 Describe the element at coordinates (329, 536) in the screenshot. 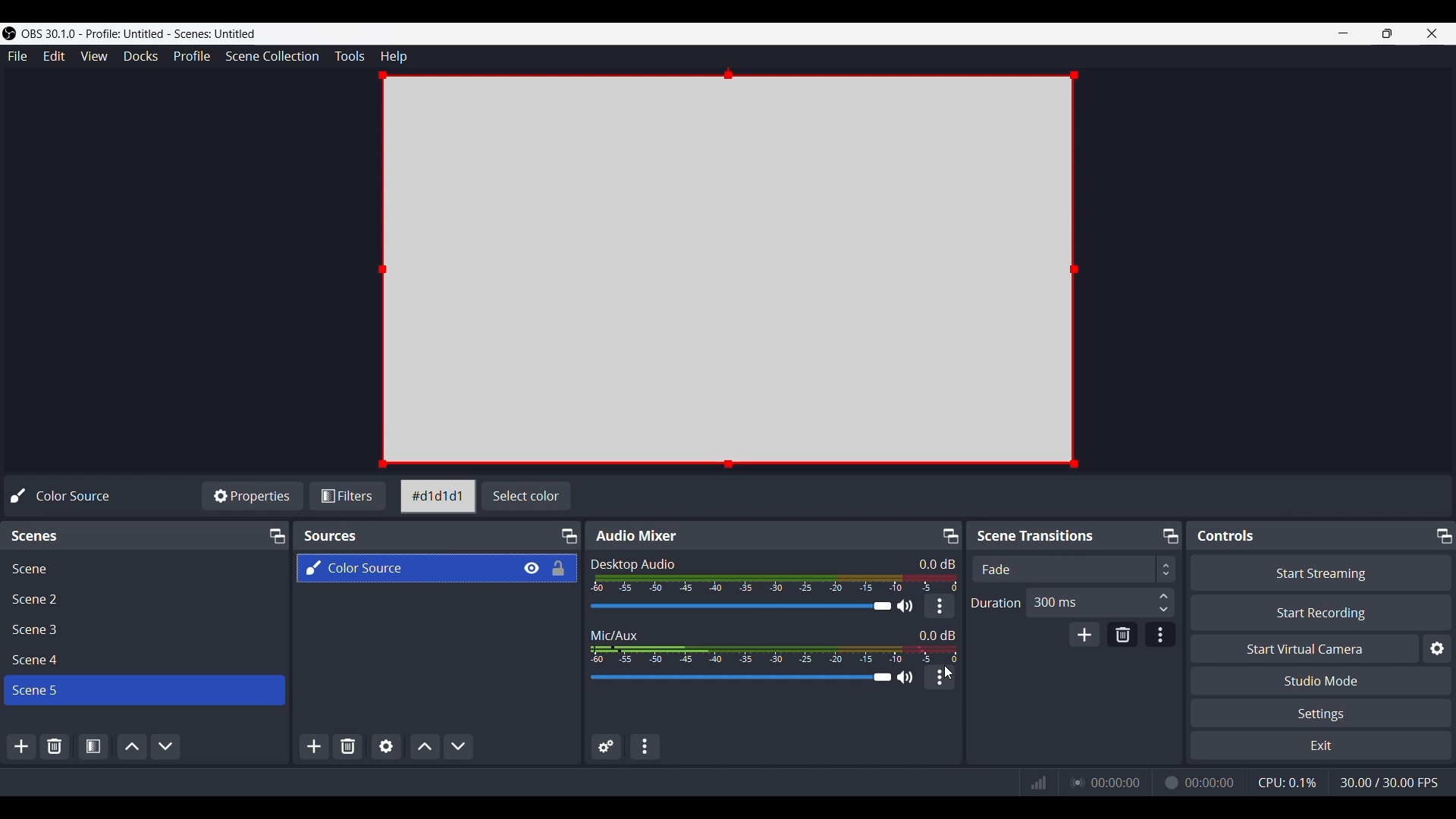

I see `Sources` at that location.